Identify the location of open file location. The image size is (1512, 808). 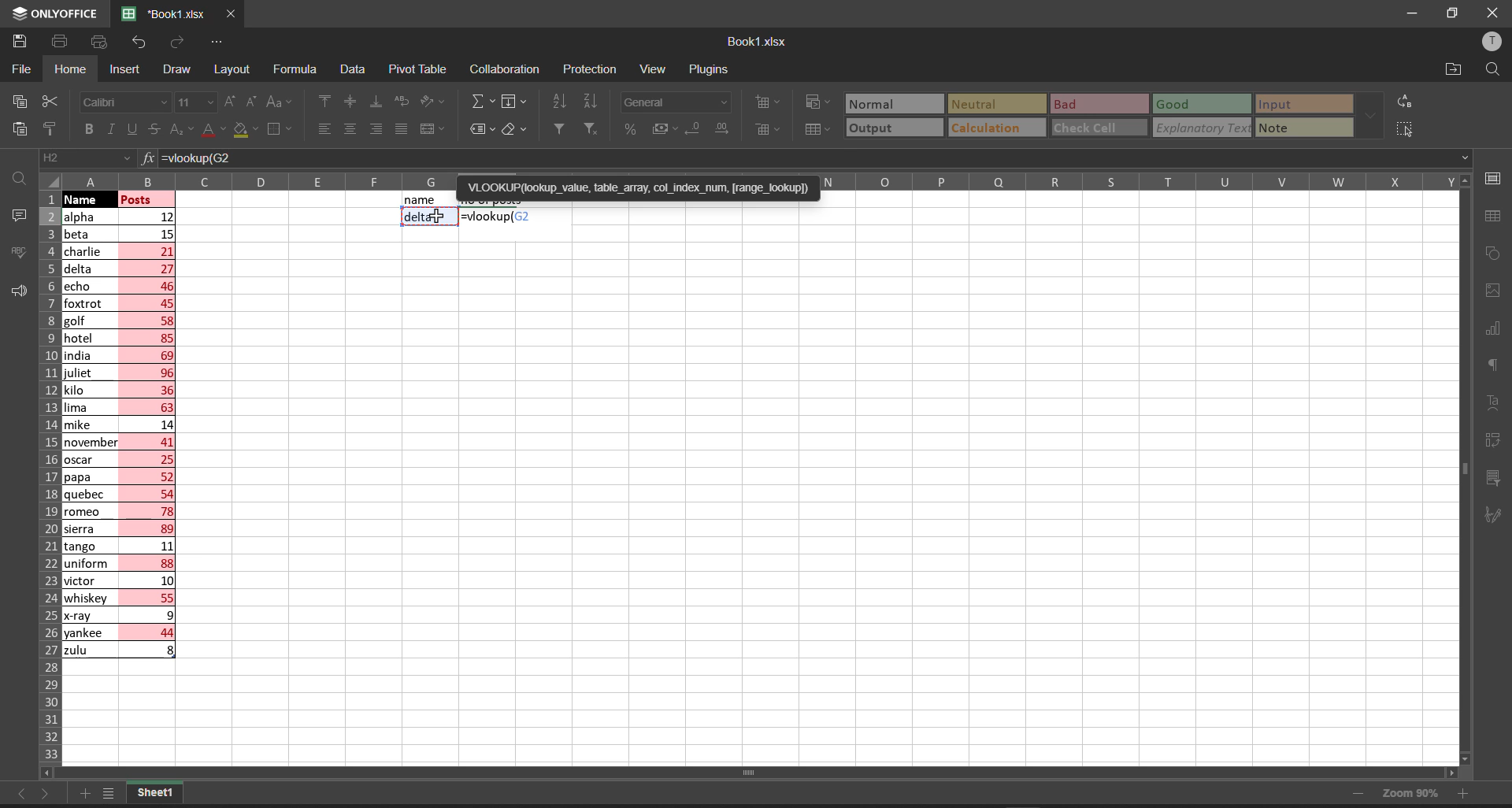
(1455, 68).